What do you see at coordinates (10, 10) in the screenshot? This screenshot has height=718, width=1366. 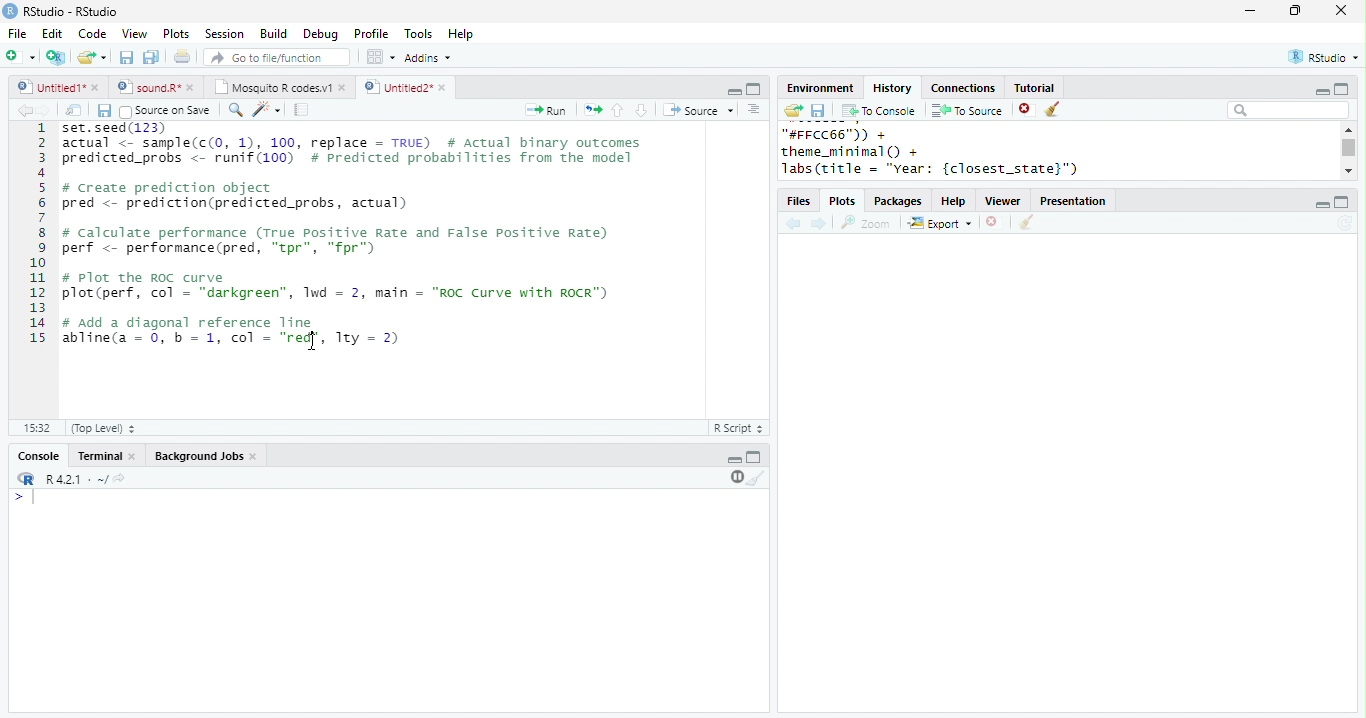 I see `logo` at bounding box center [10, 10].